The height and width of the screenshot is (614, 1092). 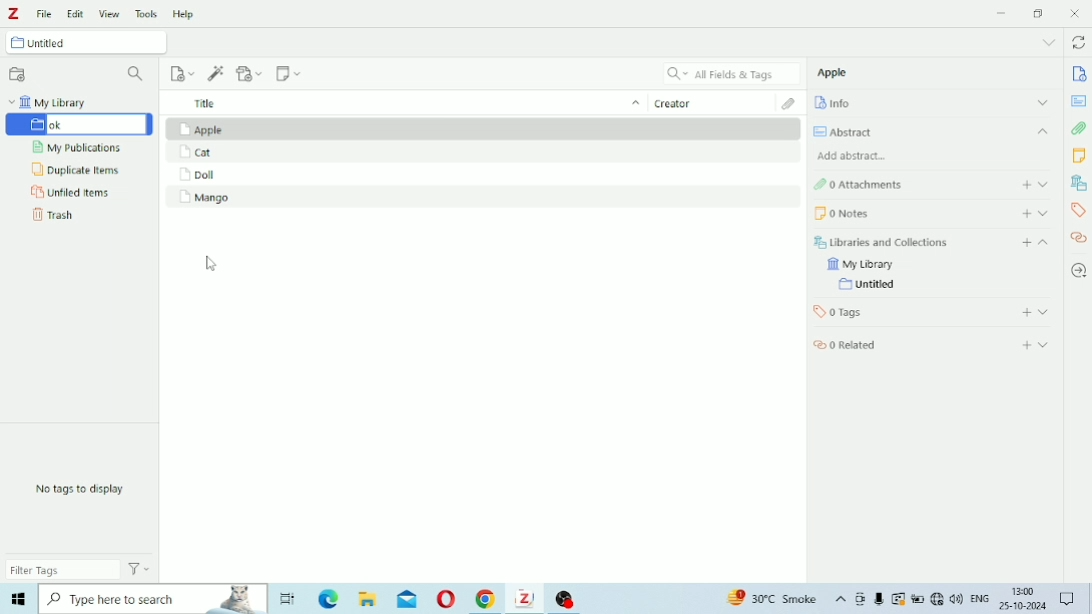 I want to click on Add, so click(x=1027, y=312).